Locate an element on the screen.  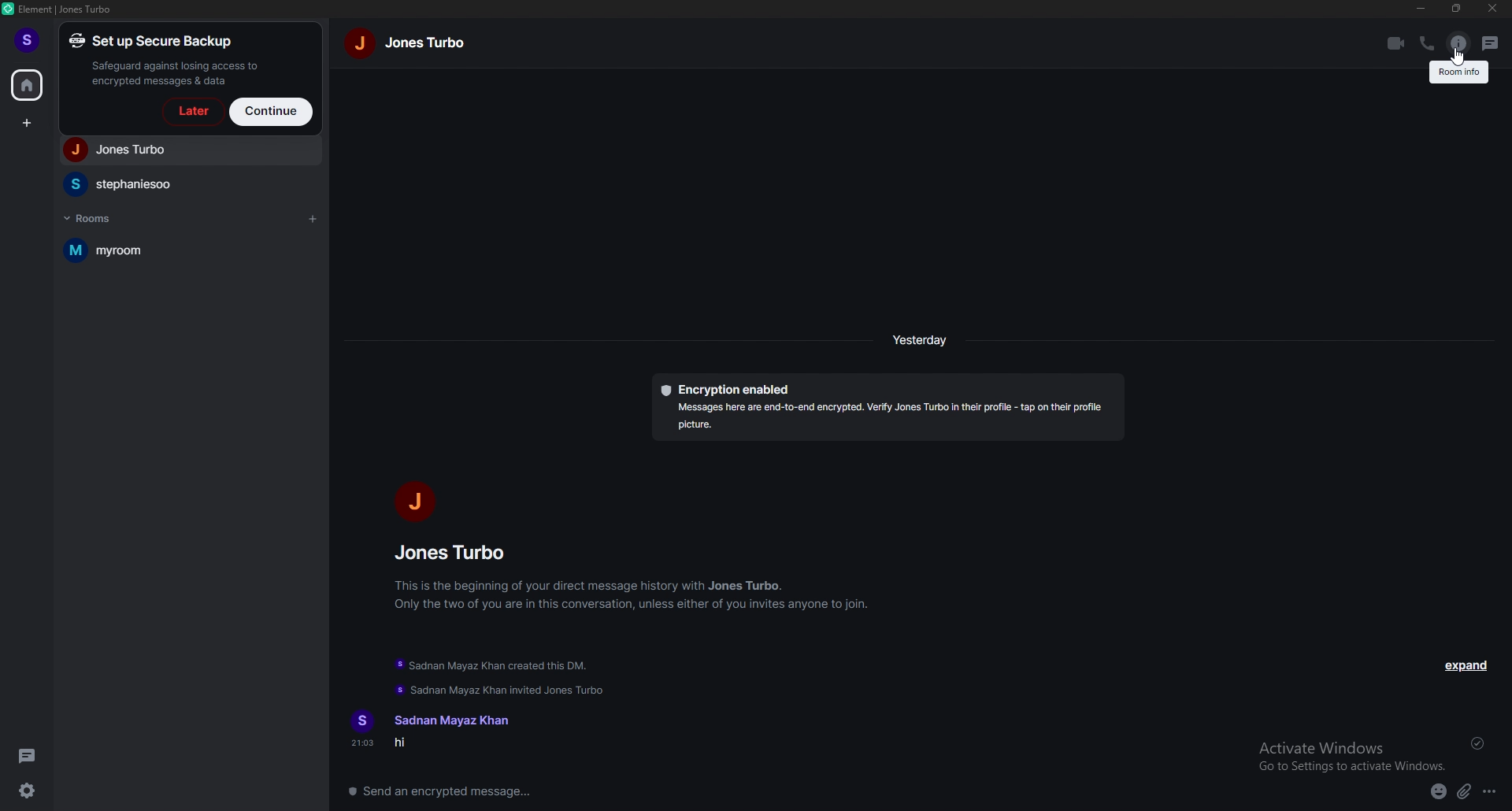
options is located at coordinates (1491, 793).